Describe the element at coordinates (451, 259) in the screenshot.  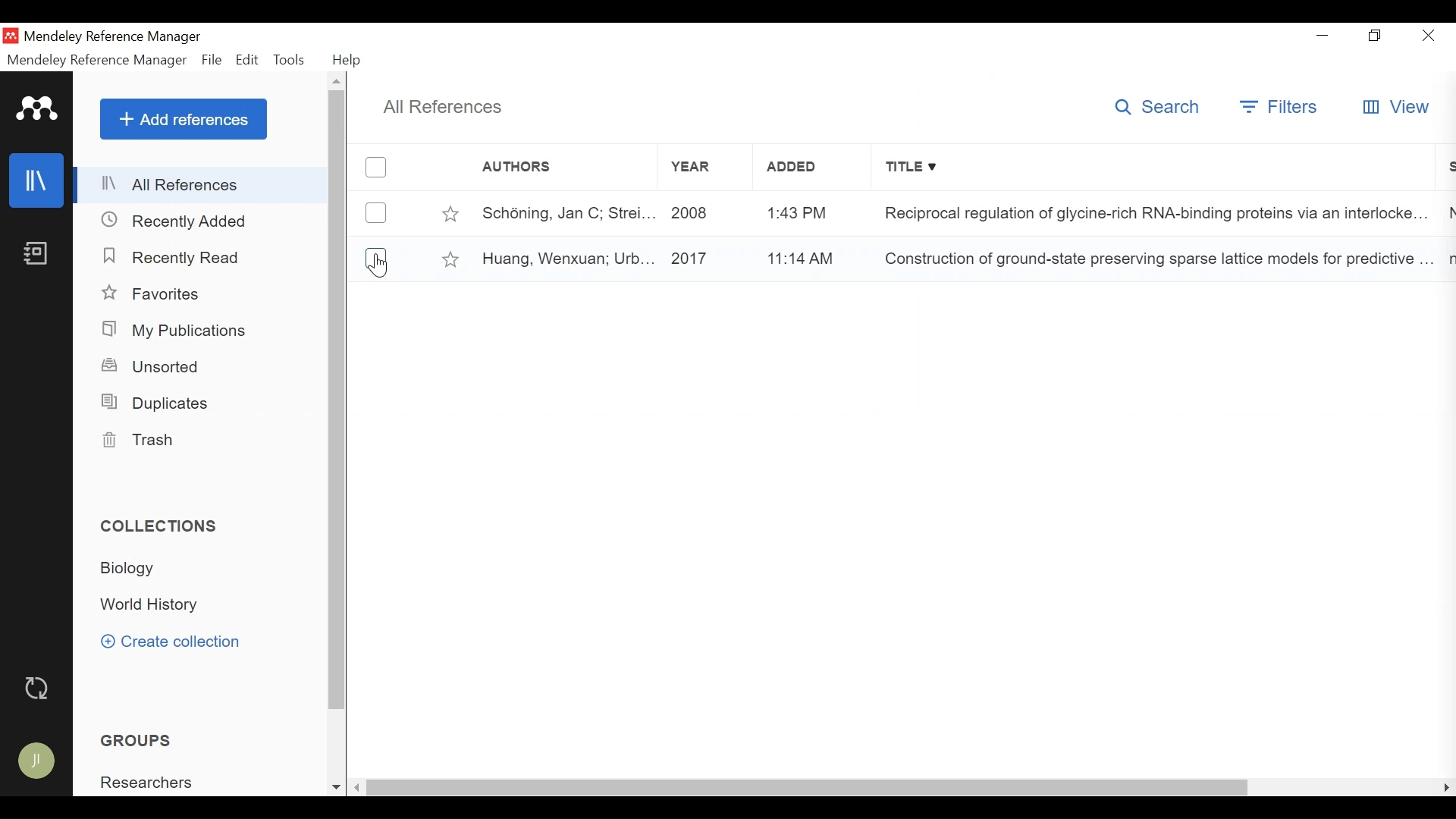
I see `Toggle Favorites` at that location.